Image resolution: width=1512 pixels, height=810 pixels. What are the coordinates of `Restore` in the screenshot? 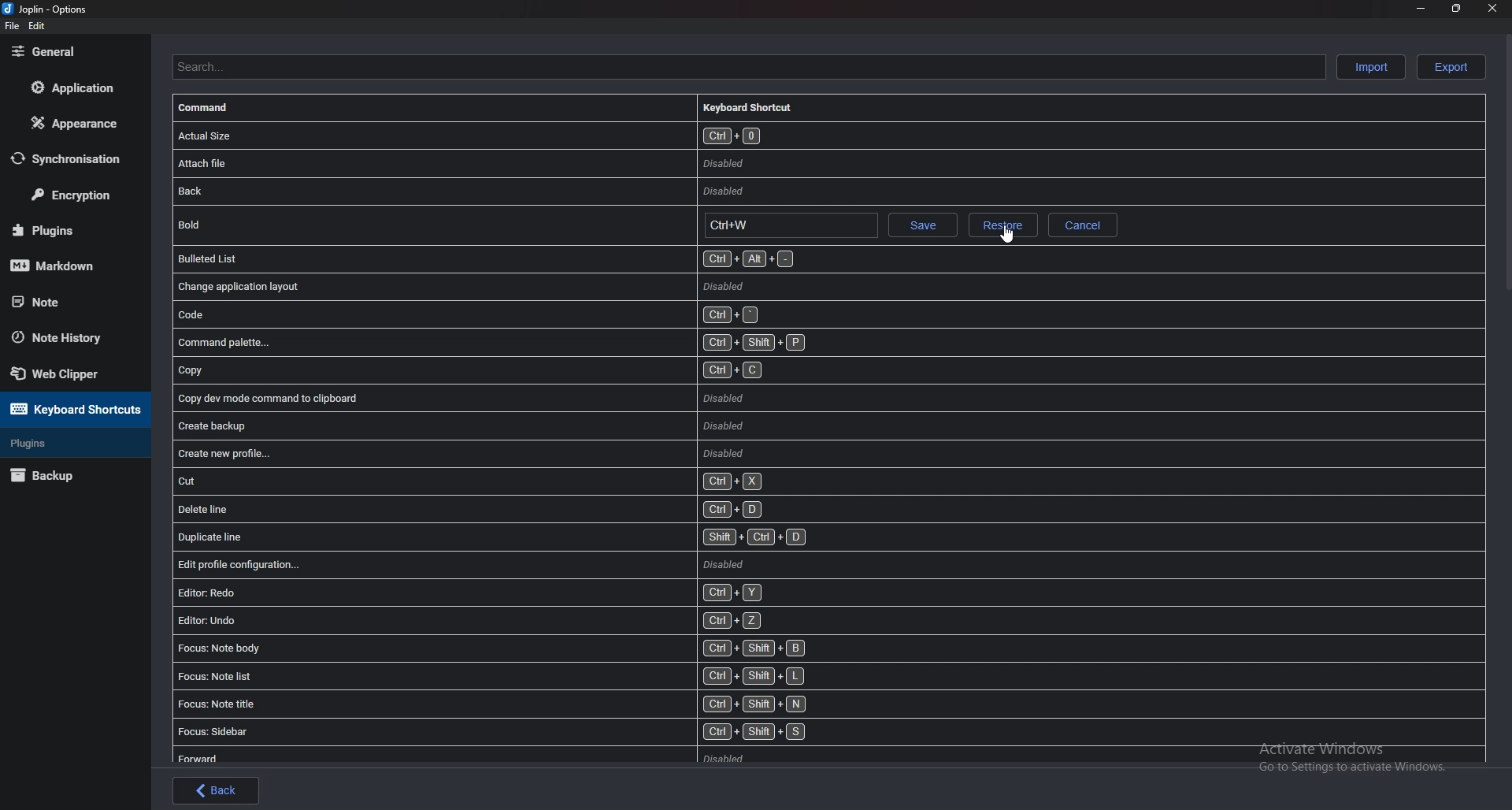 It's located at (1002, 225).